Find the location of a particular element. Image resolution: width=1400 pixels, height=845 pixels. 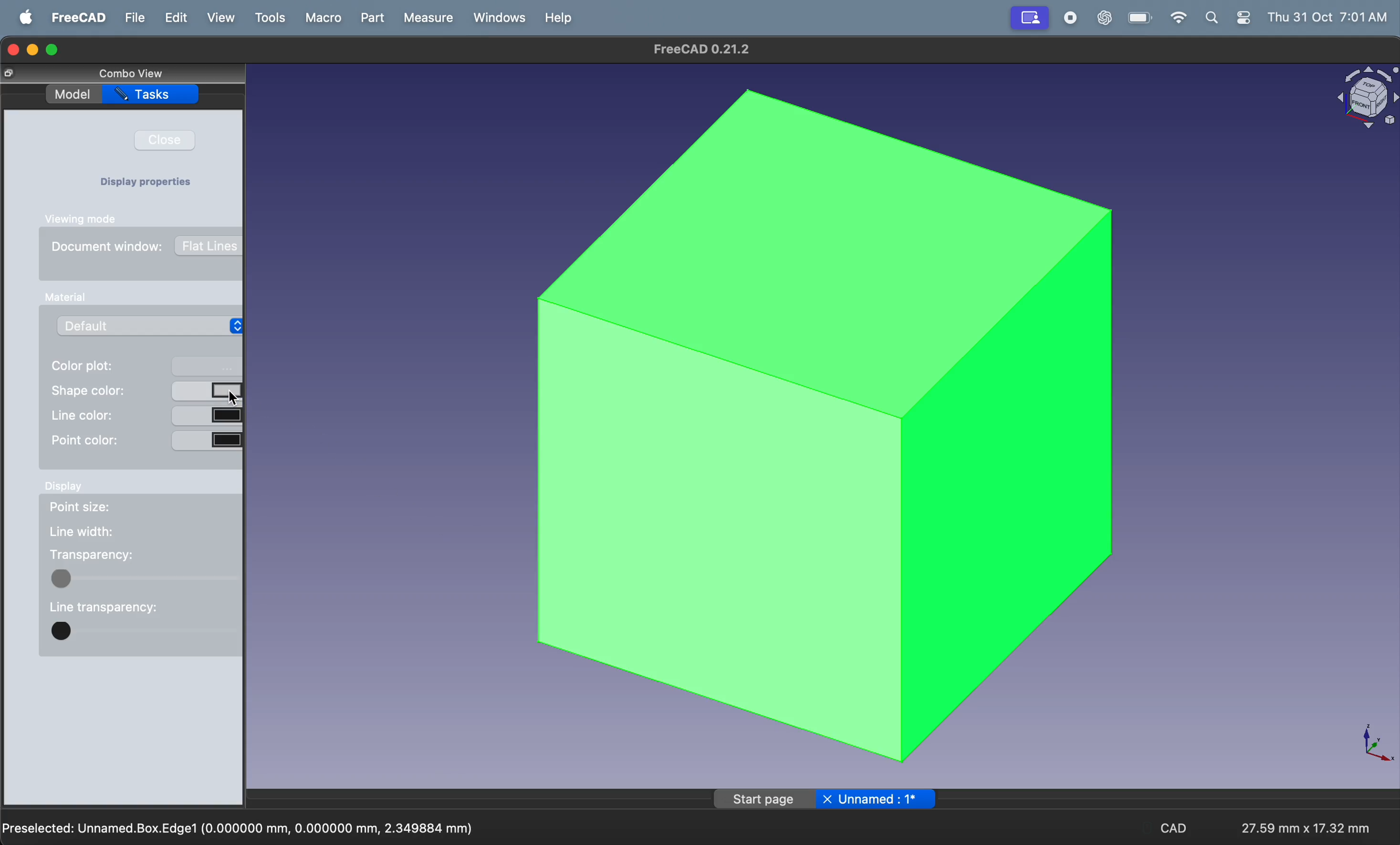

tools is located at coordinates (272, 18).